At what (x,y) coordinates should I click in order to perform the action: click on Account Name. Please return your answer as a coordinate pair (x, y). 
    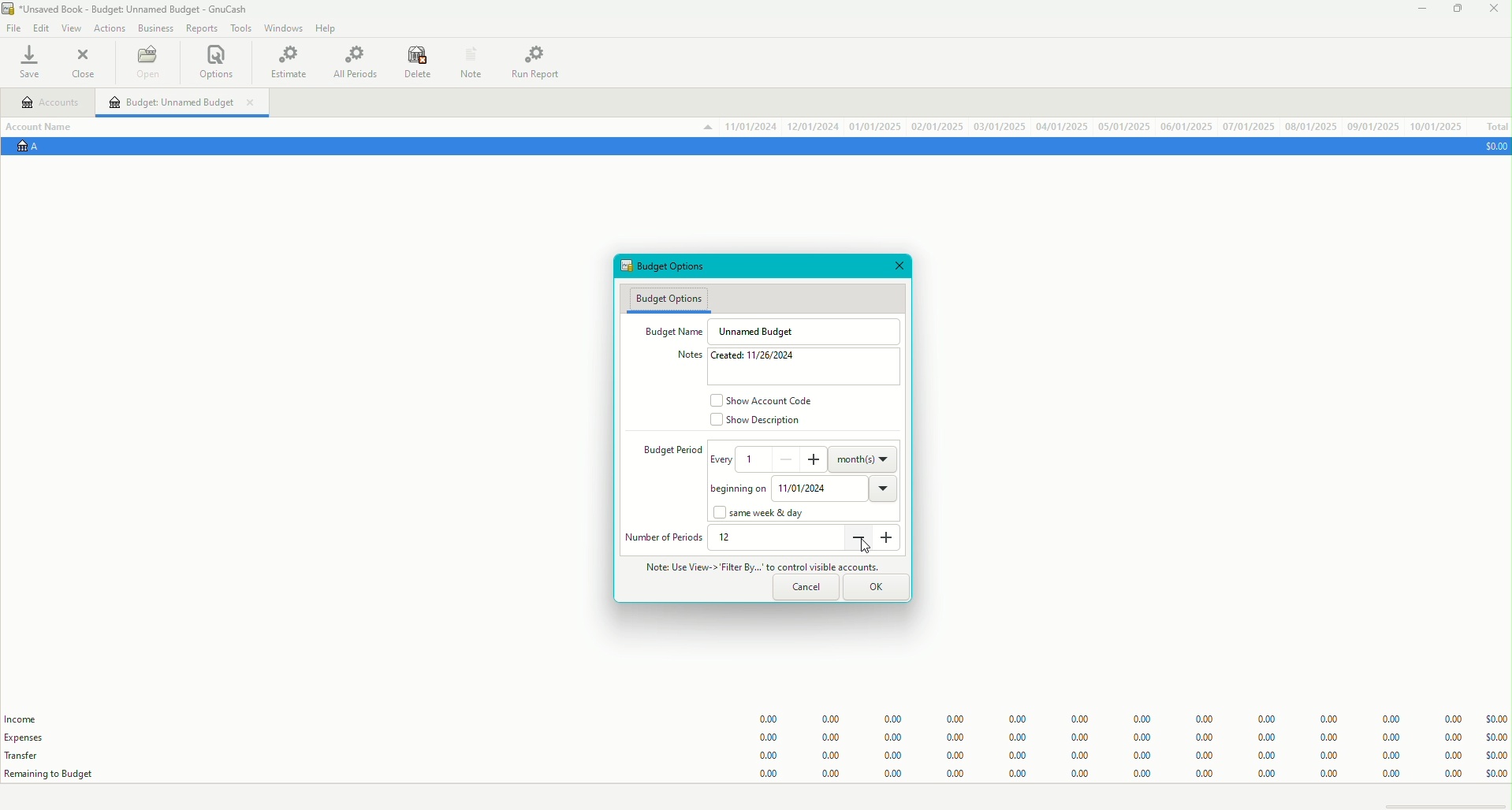
    Looking at the image, I should click on (46, 125).